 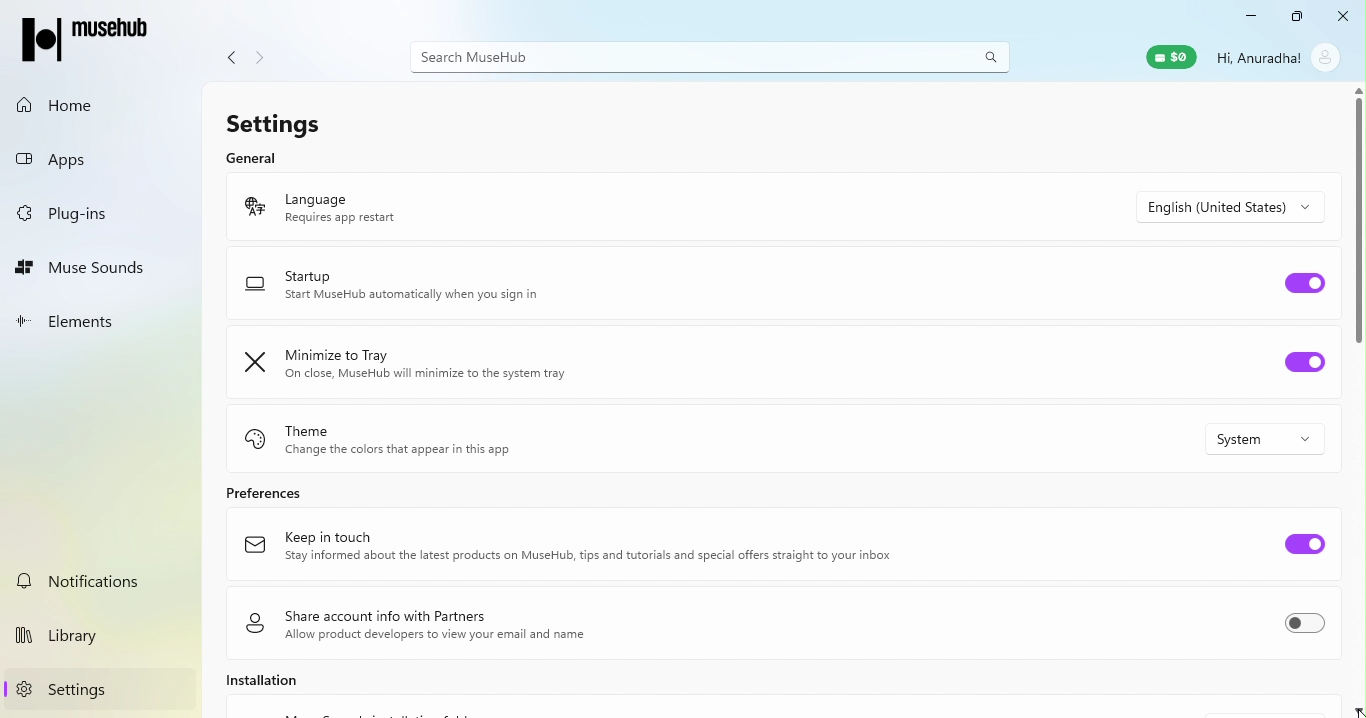 What do you see at coordinates (1357, 710) in the screenshot?
I see `scroll down` at bounding box center [1357, 710].